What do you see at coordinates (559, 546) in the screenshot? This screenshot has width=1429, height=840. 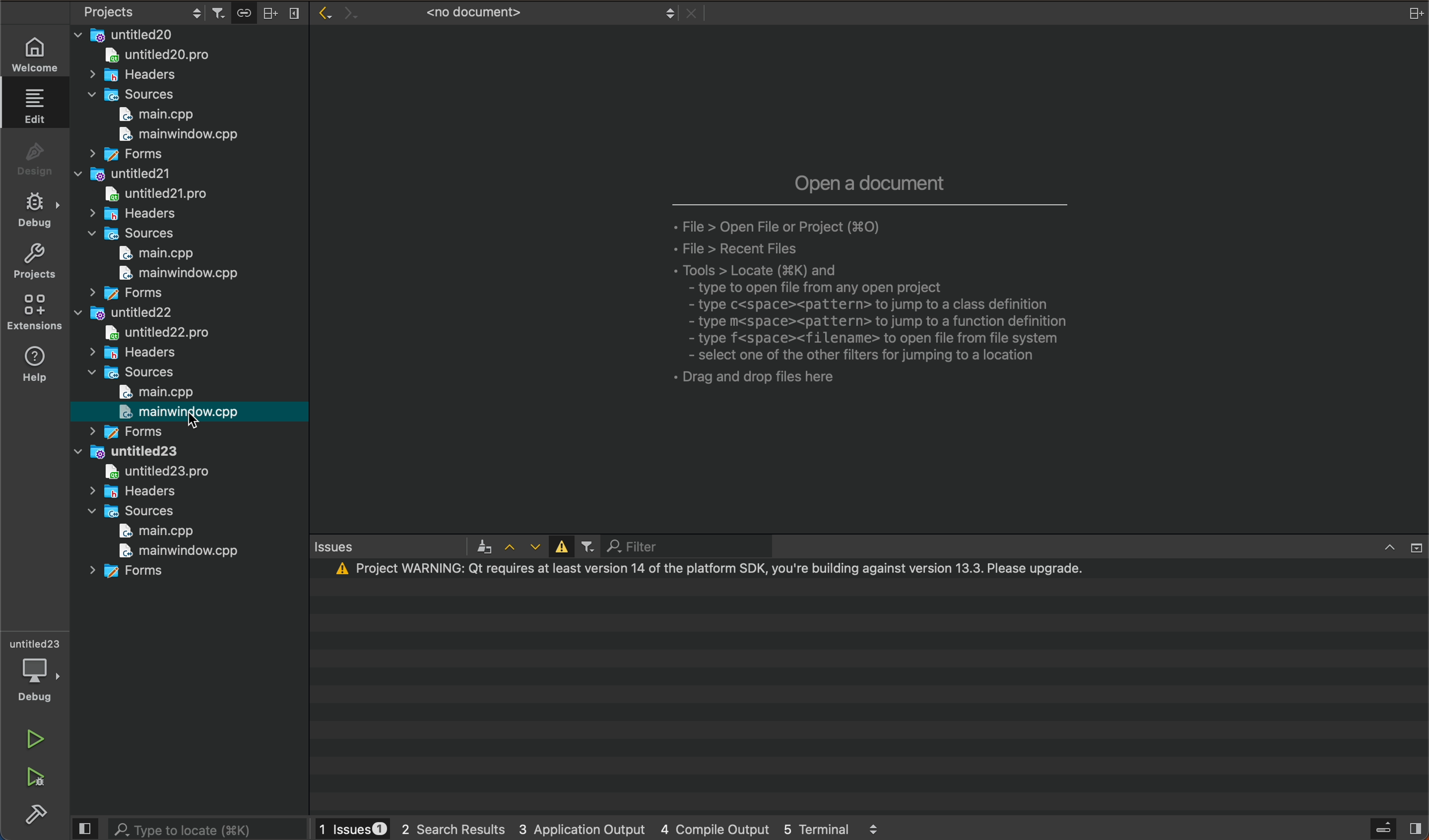 I see `` at bounding box center [559, 546].